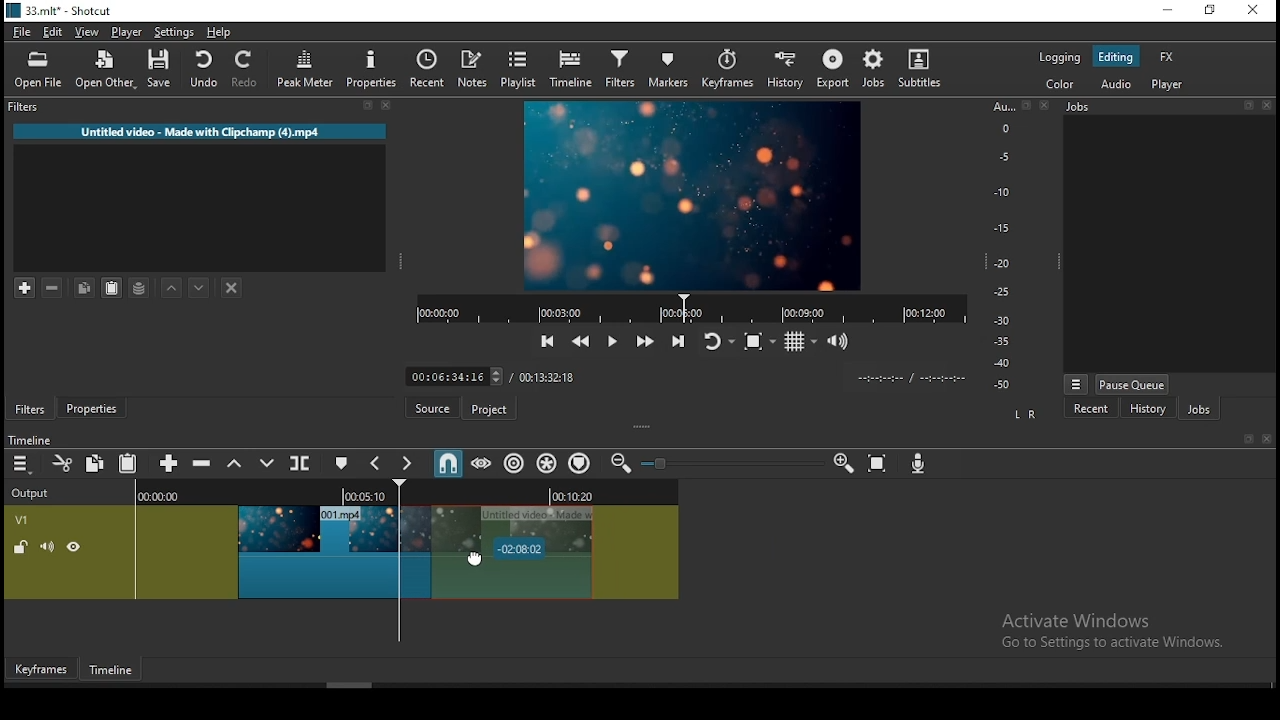 Image resolution: width=1280 pixels, height=720 pixels. I want to click on snap, so click(447, 463).